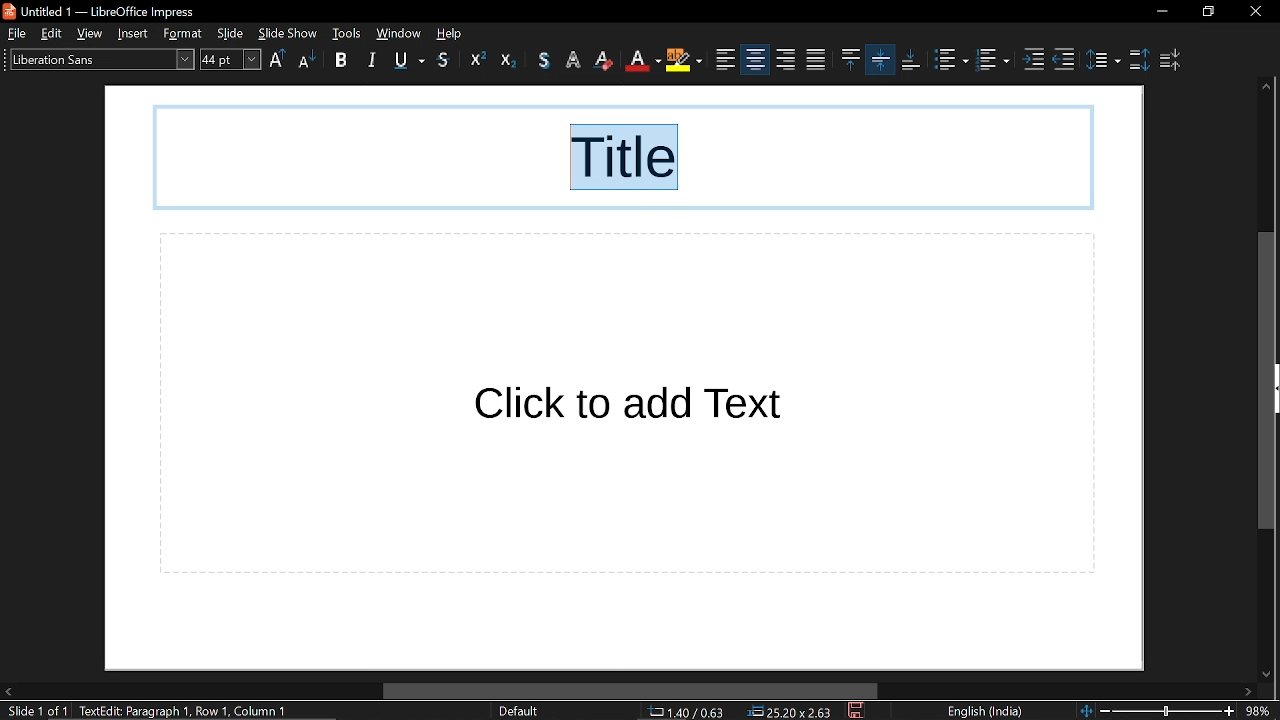  I want to click on justified, so click(786, 60).